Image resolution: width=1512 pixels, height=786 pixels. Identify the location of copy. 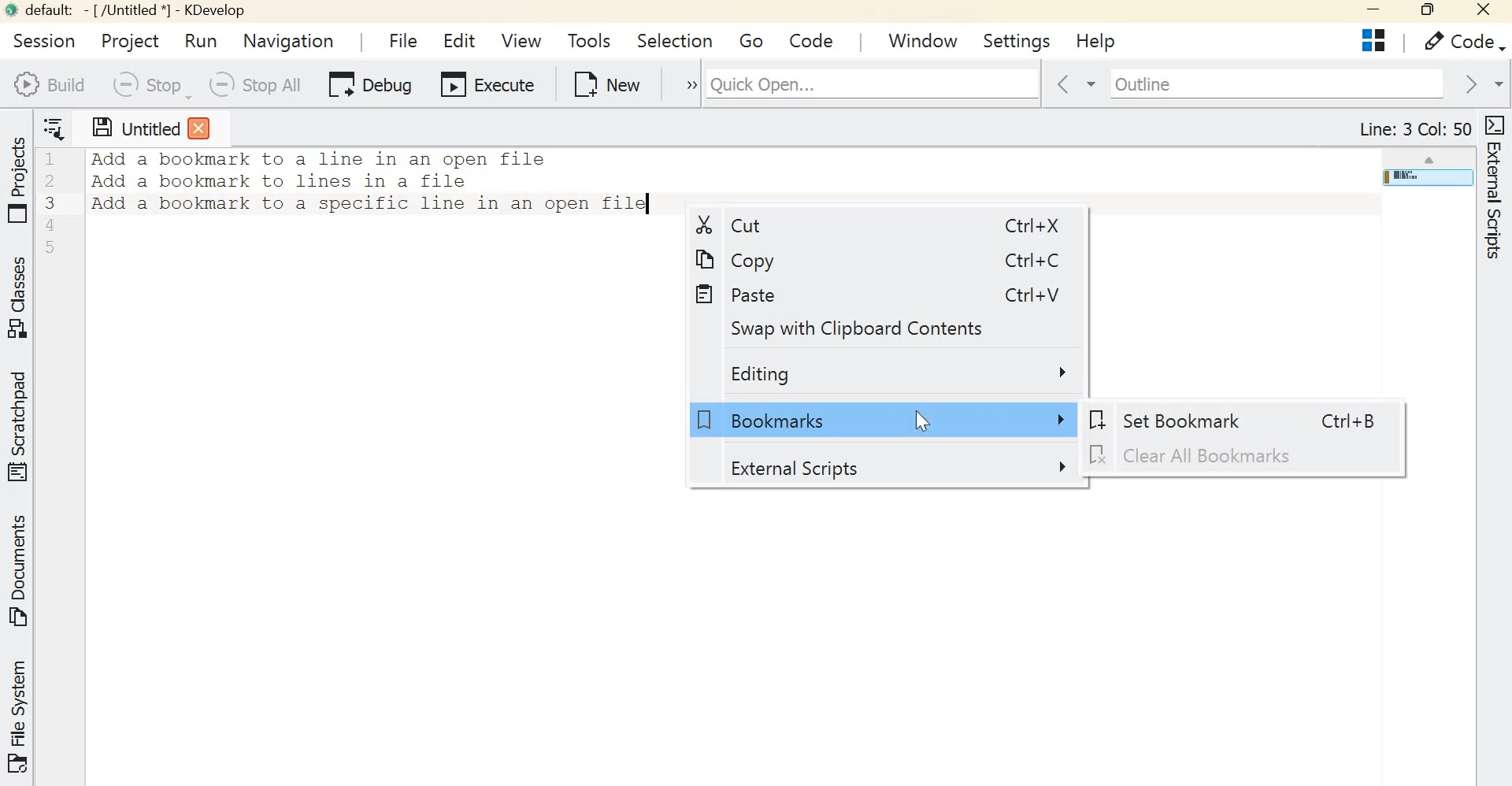
(743, 258).